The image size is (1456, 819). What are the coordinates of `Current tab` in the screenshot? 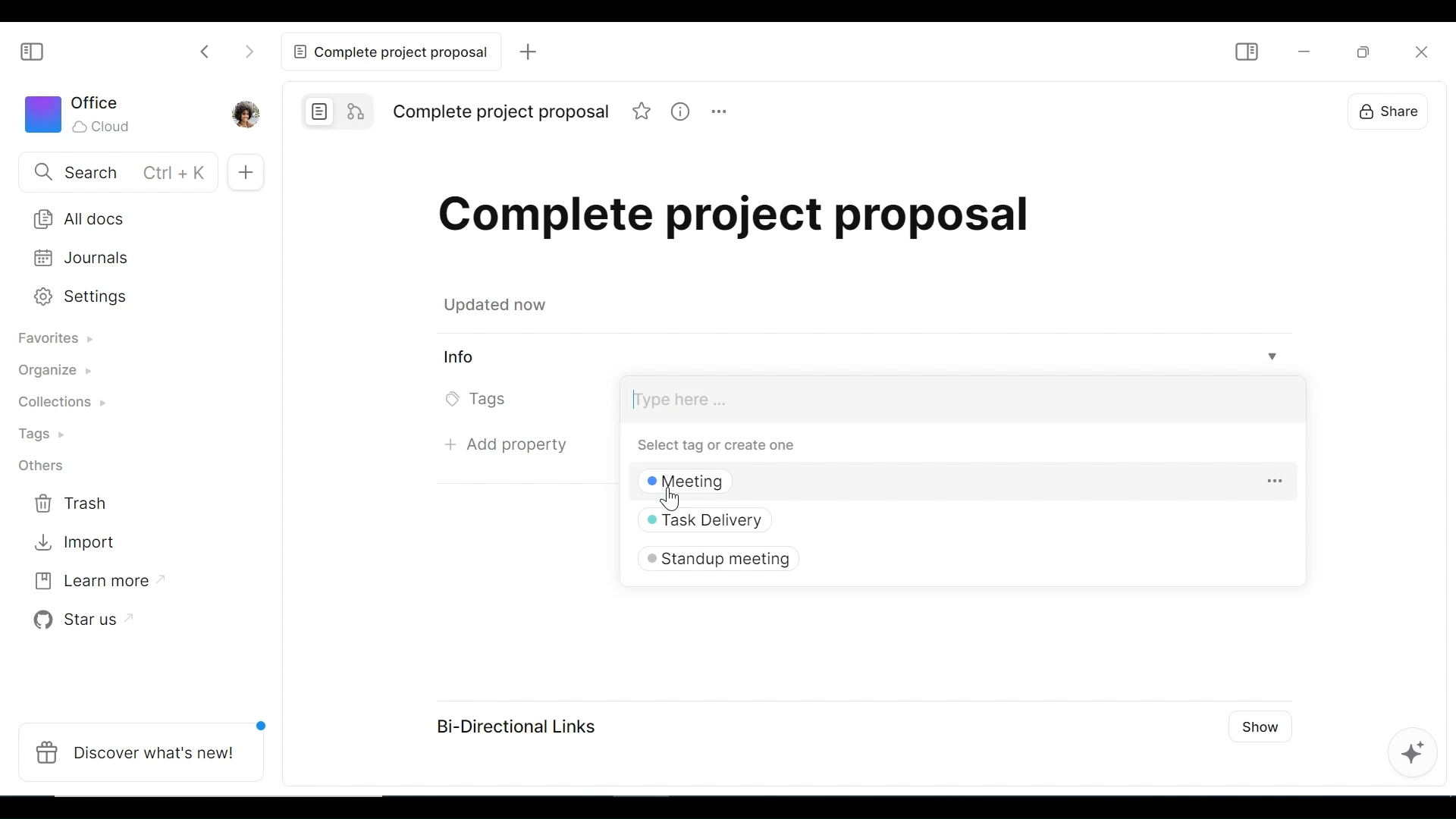 It's located at (388, 52).